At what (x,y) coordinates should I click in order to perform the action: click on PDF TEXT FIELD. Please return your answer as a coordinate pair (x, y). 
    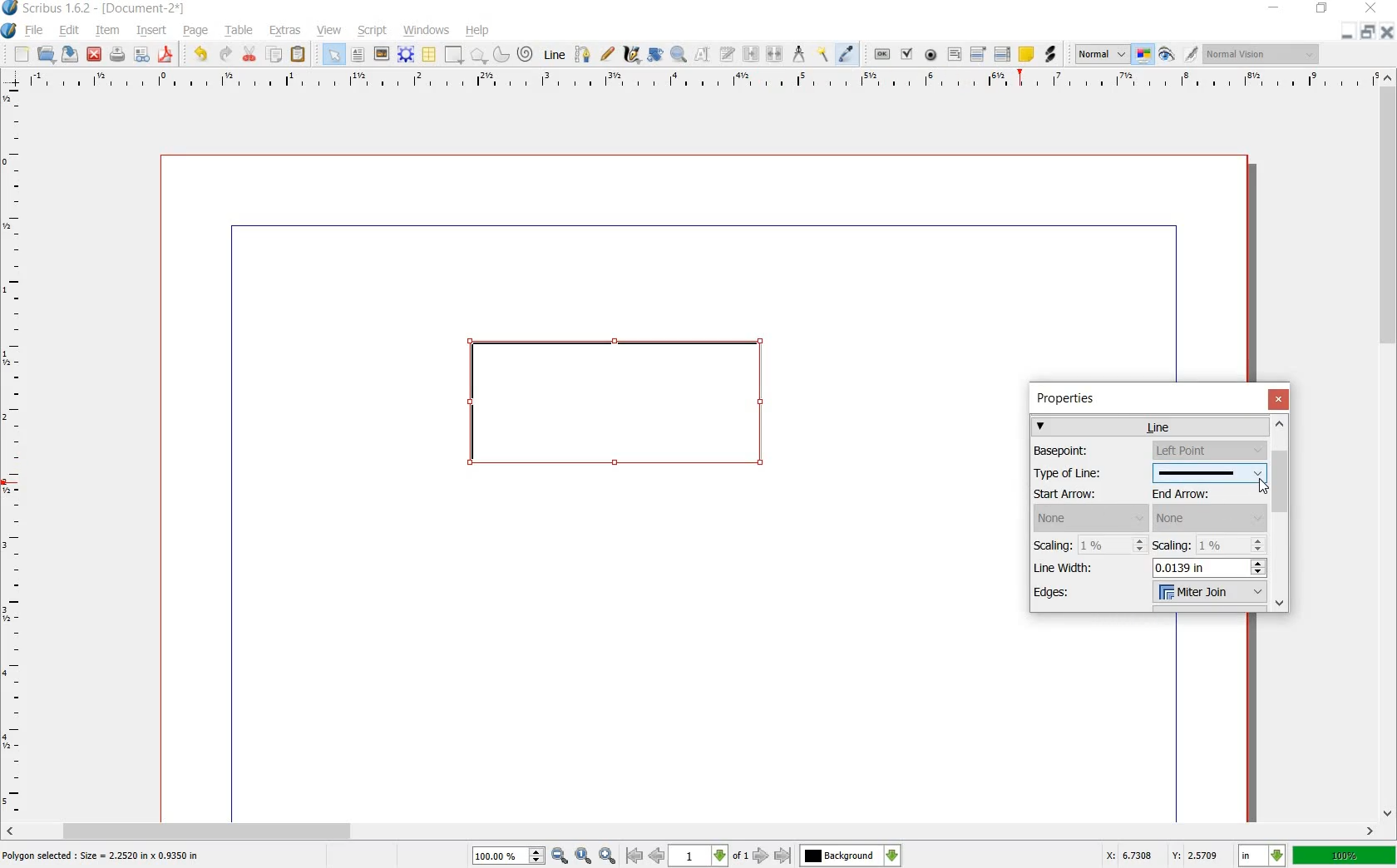
    Looking at the image, I should click on (954, 55).